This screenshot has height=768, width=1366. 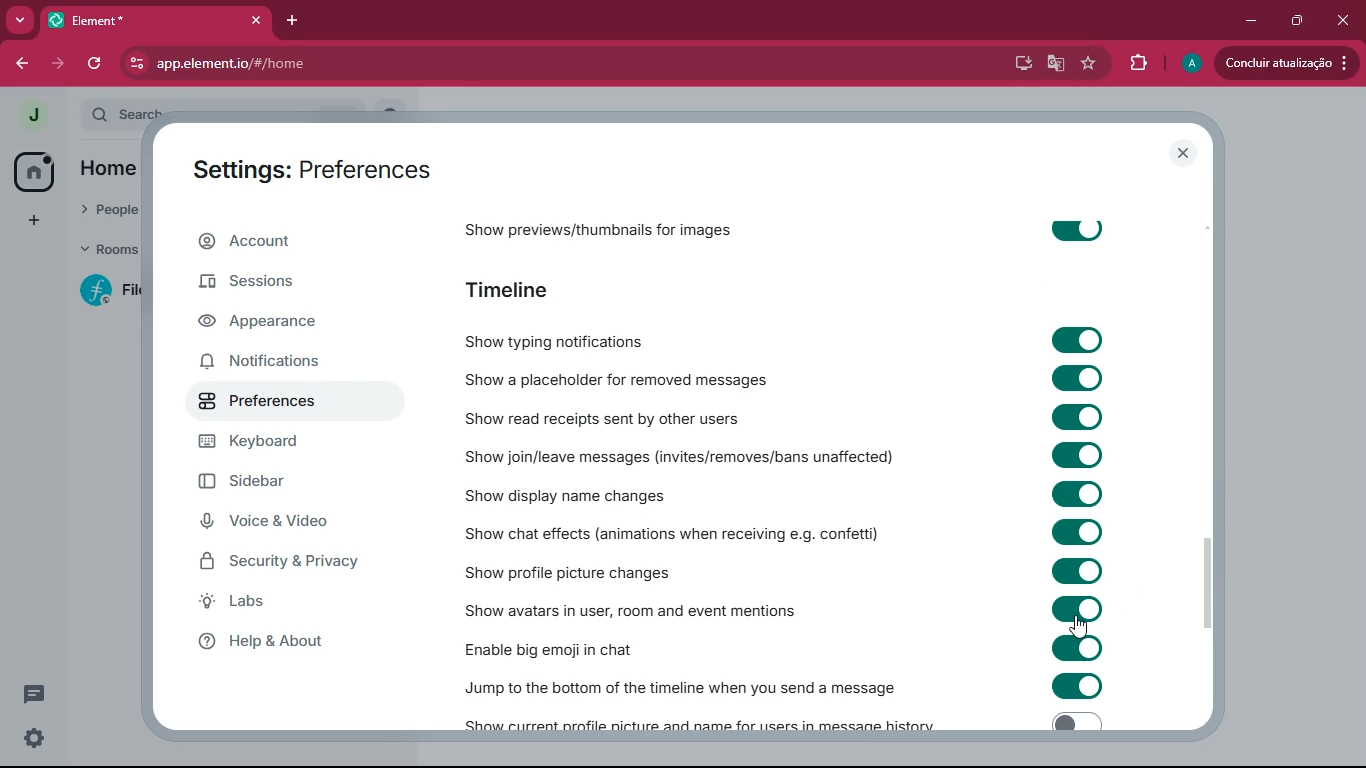 I want to click on toggle on , so click(x=1077, y=646).